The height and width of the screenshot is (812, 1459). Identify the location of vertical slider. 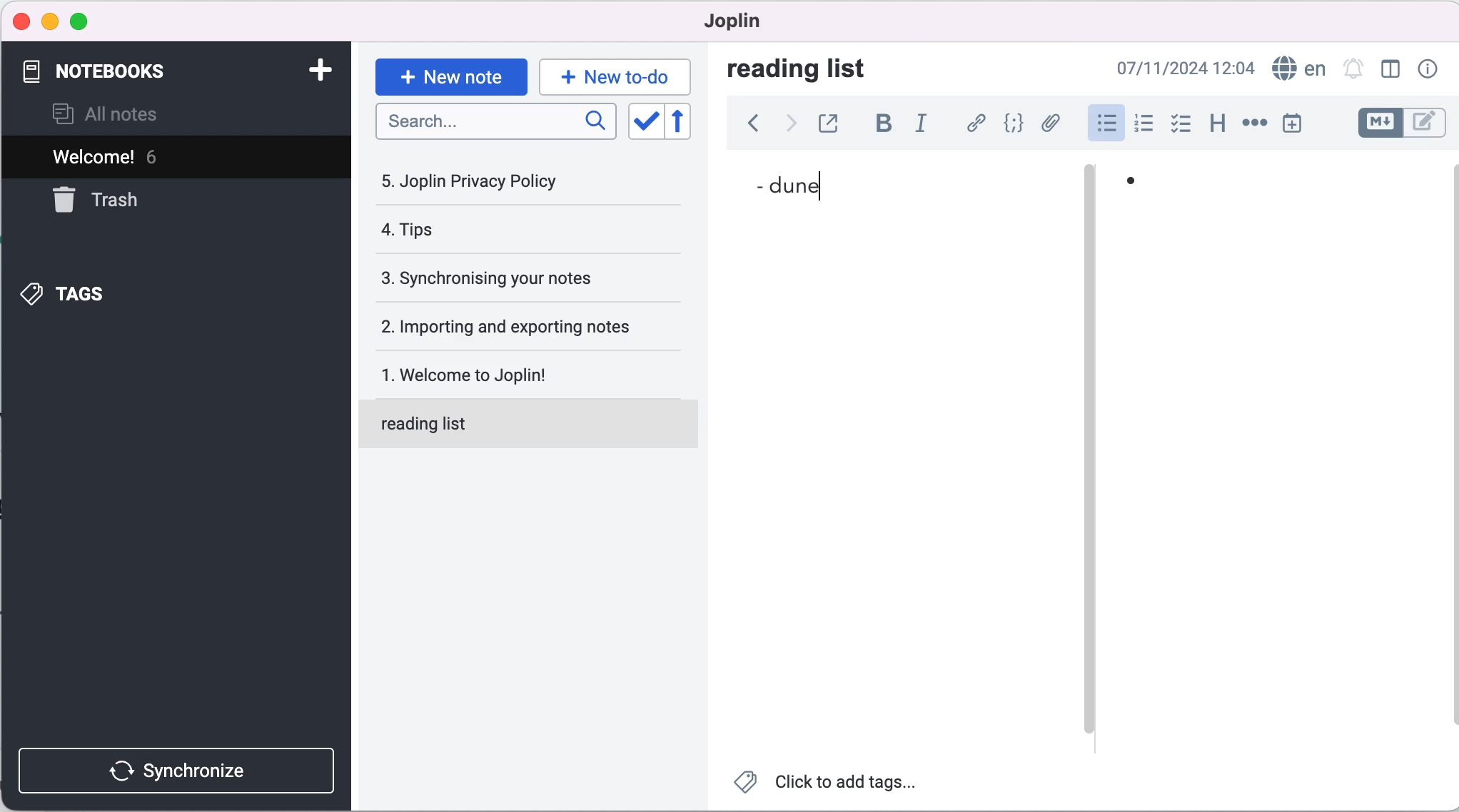
(1089, 450).